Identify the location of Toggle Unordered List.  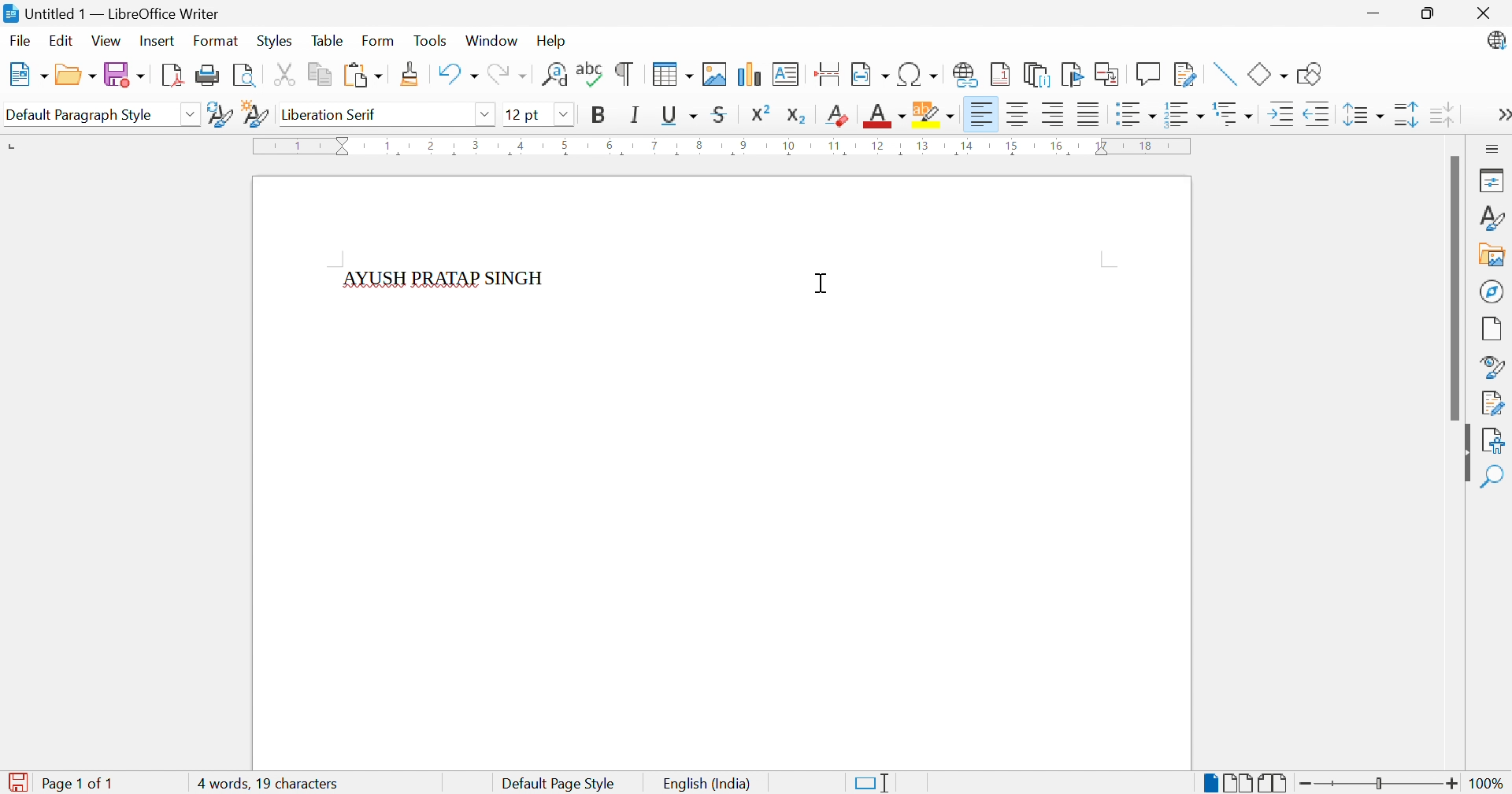
(1136, 114).